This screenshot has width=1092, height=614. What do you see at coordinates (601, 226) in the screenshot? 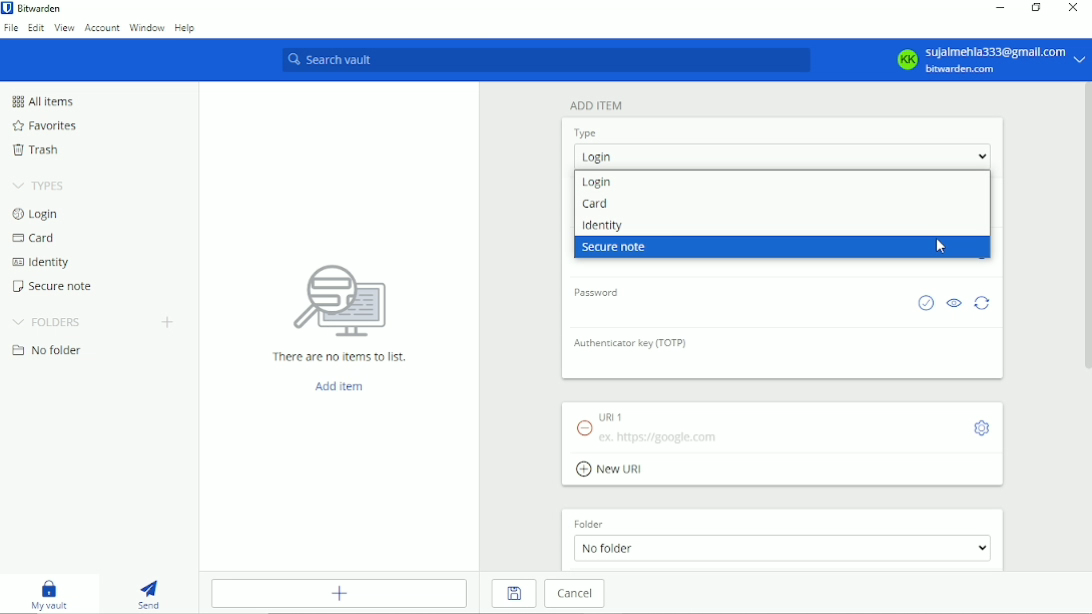
I see `Identity` at bounding box center [601, 226].